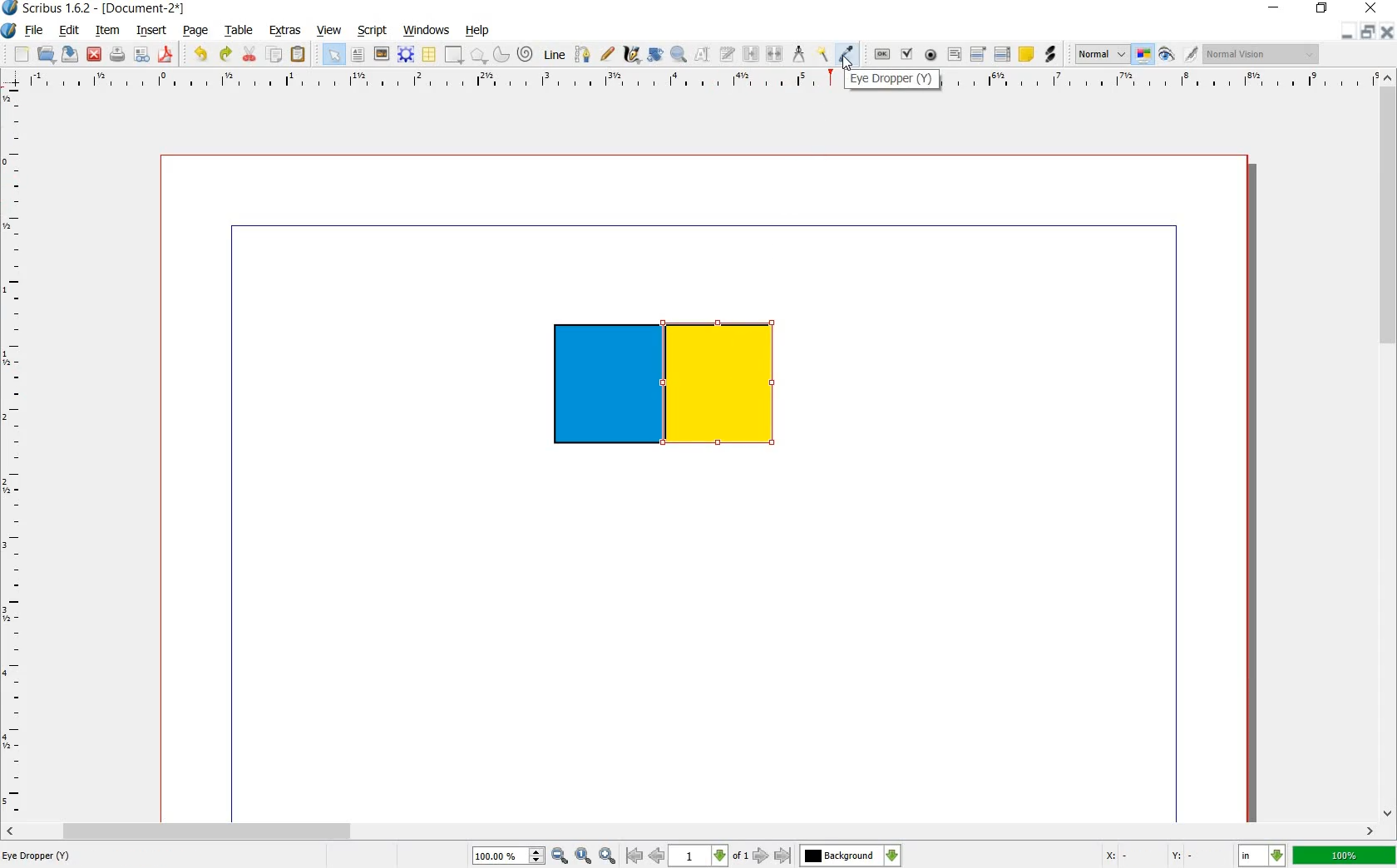 Image resolution: width=1397 pixels, height=868 pixels. What do you see at coordinates (329, 29) in the screenshot?
I see `view` at bounding box center [329, 29].